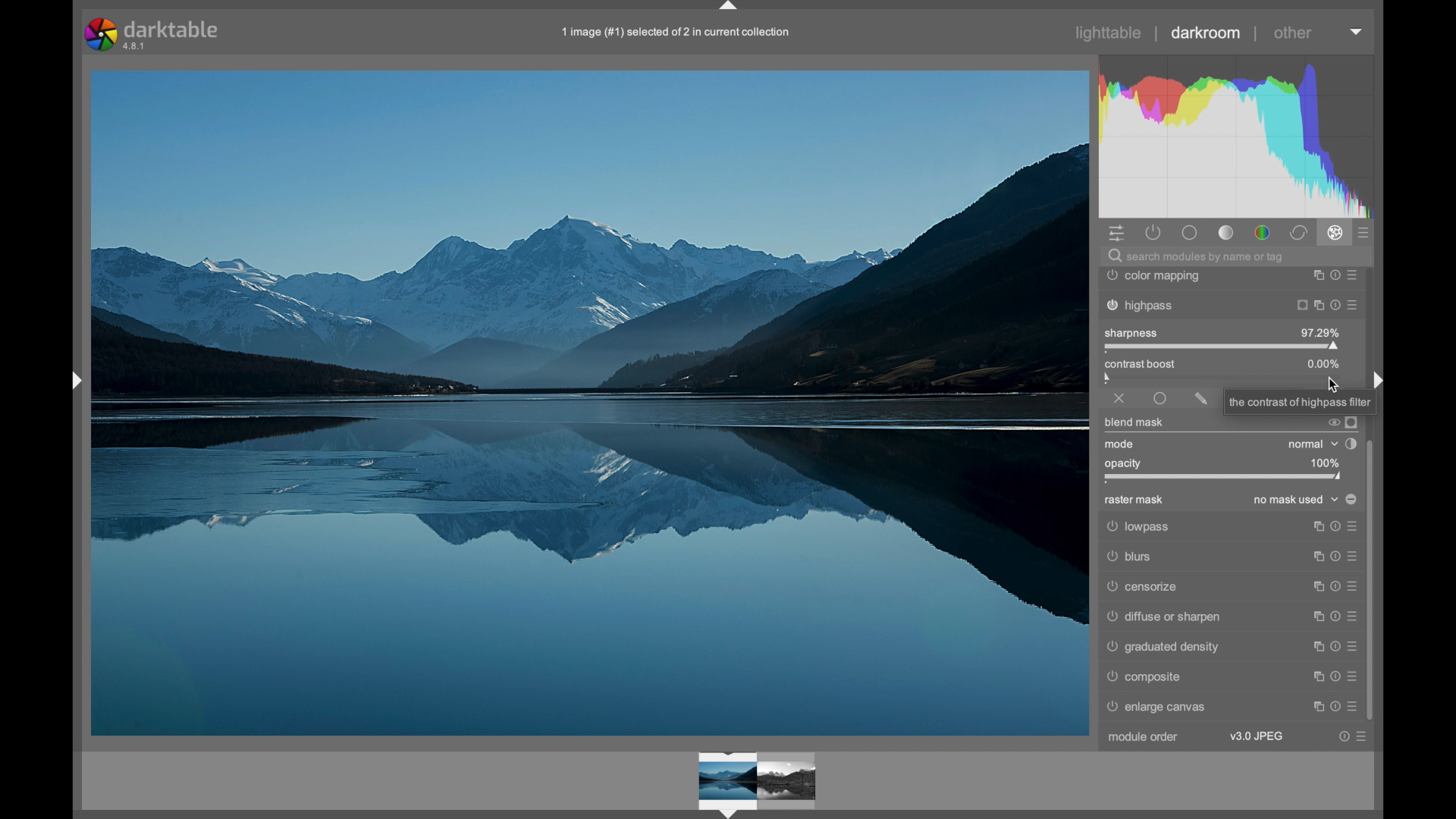 The width and height of the screenshot is (1456, 819). Describe the element at coordinates (1352, 422) in the screenshot. I see `display mask` at that location.